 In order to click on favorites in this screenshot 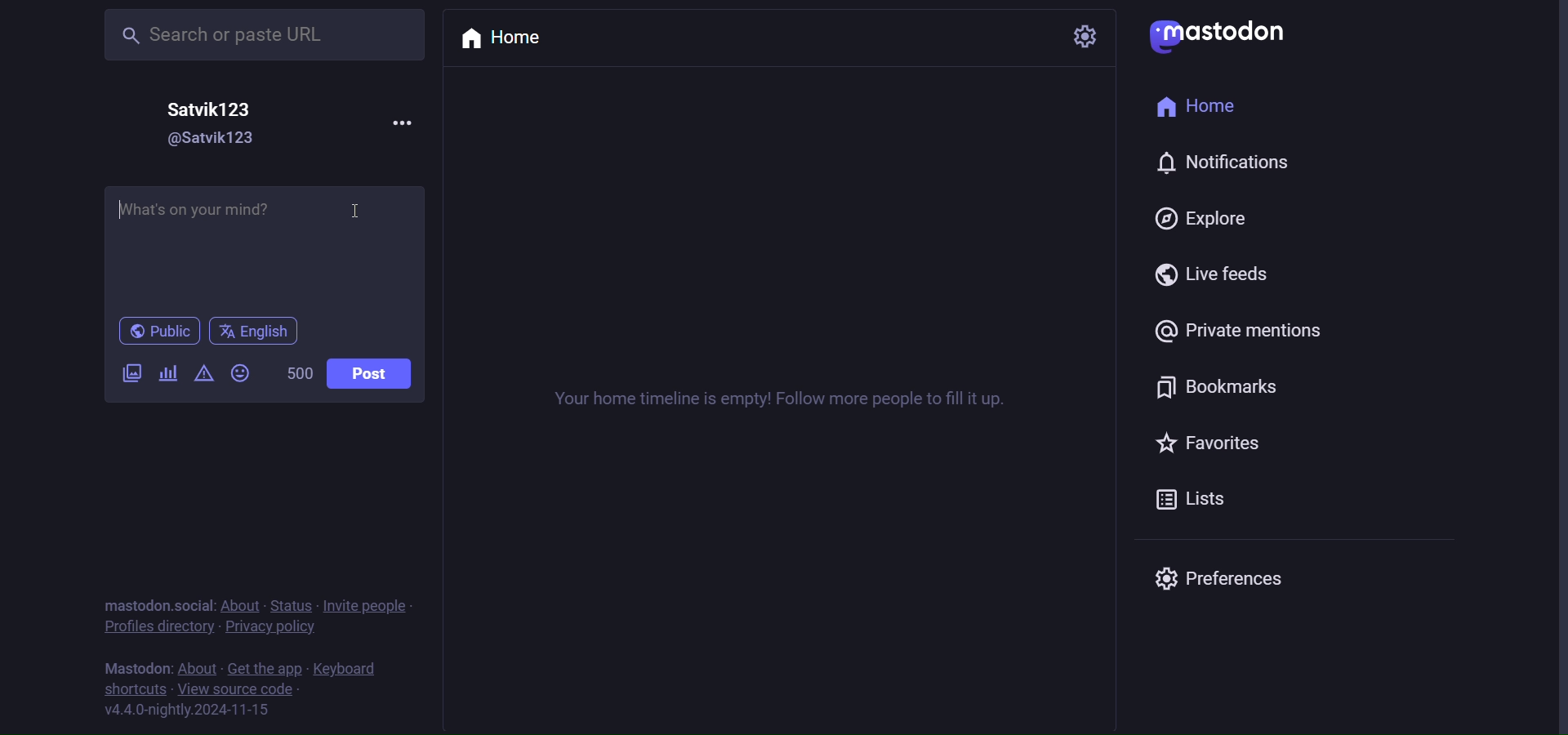, I will do `click(1213, 444)`.